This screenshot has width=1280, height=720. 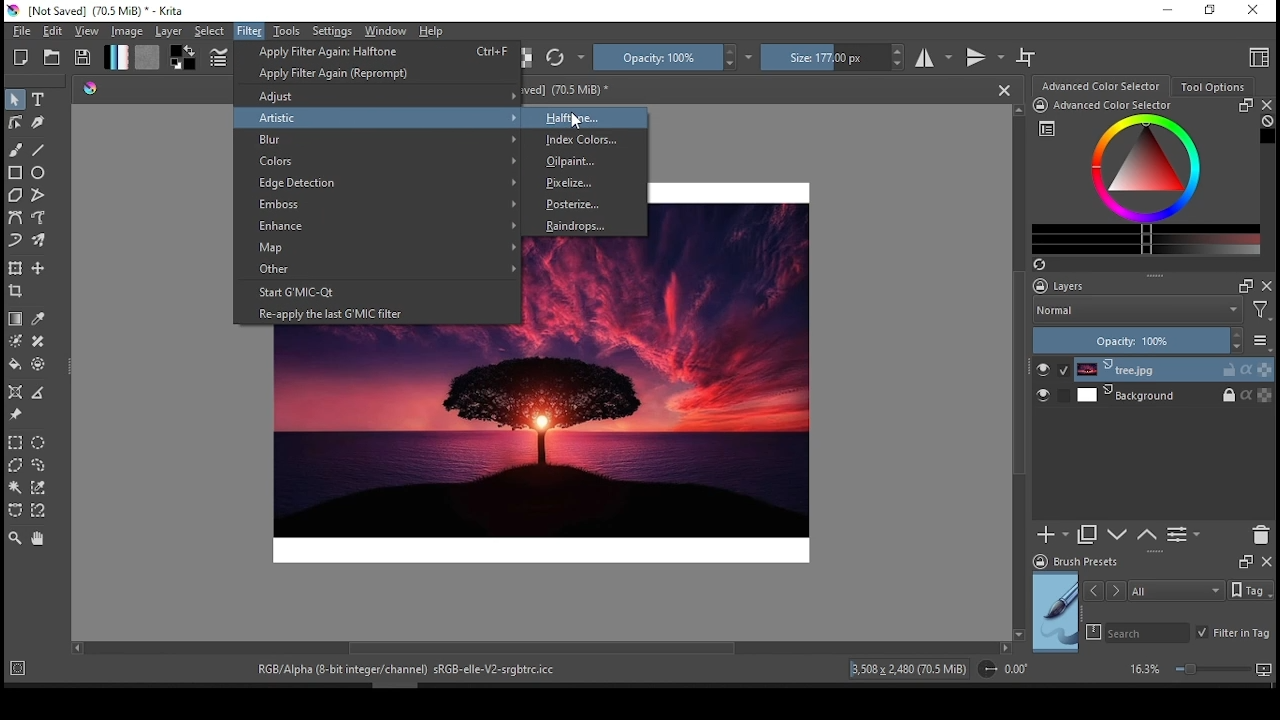 I want to click on similar color selection tool, so click(x=38, y=487).